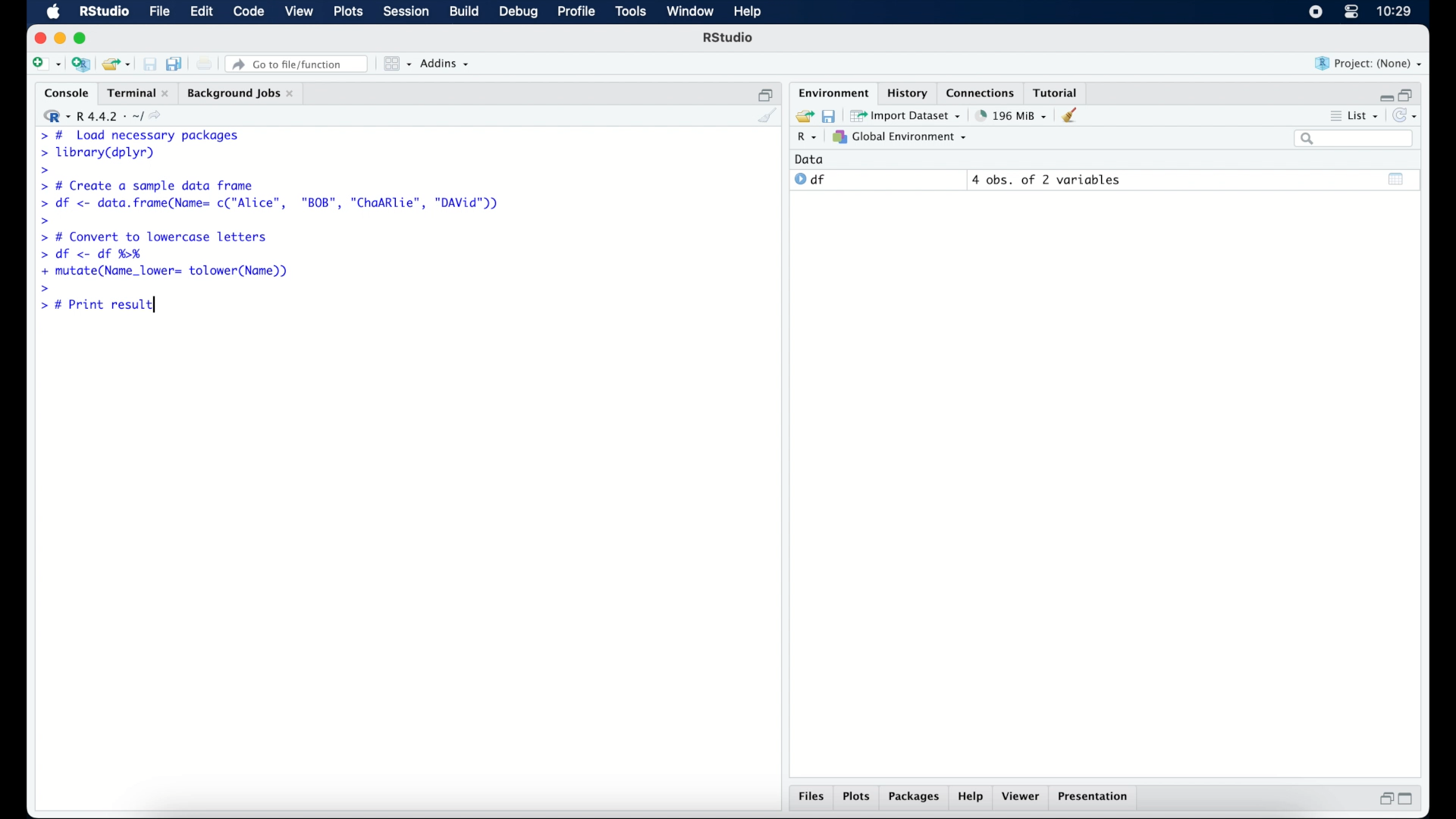 This screenshot has width=1456, height=819. What do you see at coordinates (1410, 799) in the screenshot?
I see `maximize` at bounding box center [1410, 799].